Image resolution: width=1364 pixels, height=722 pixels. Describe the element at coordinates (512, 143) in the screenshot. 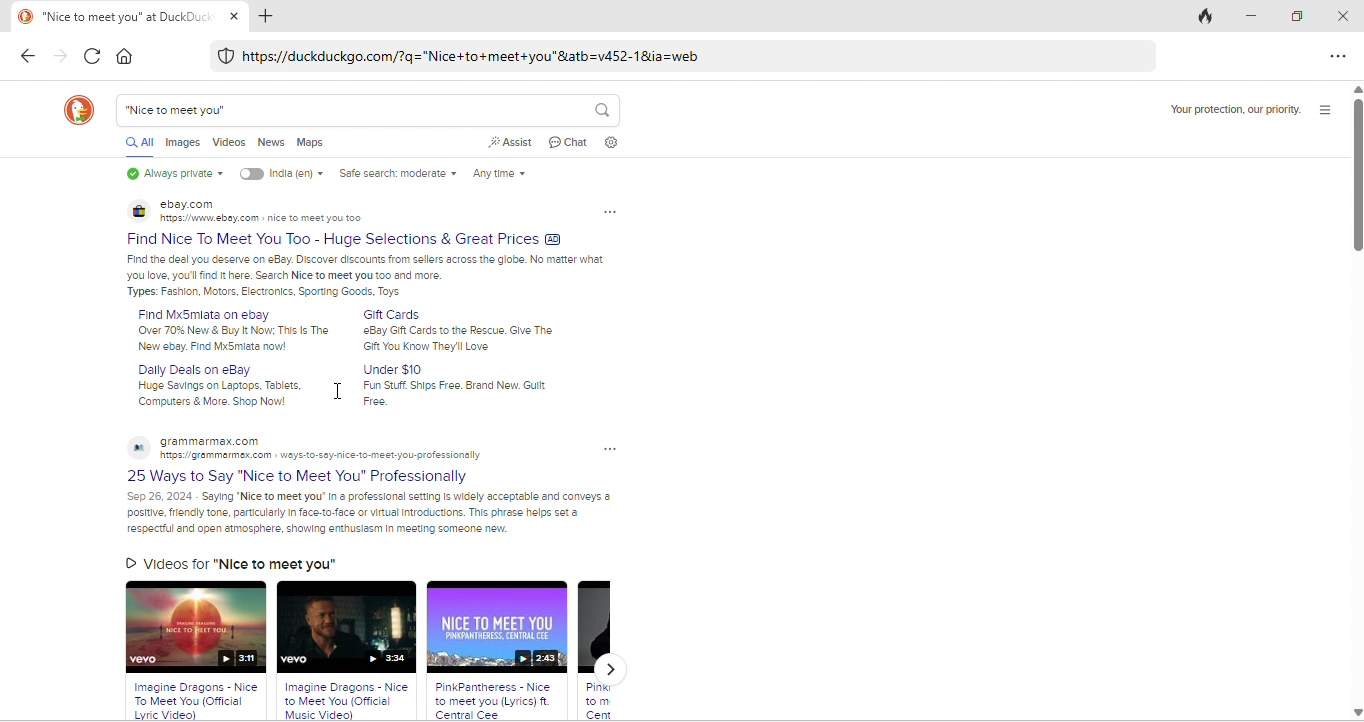

I see `assist` at that location.